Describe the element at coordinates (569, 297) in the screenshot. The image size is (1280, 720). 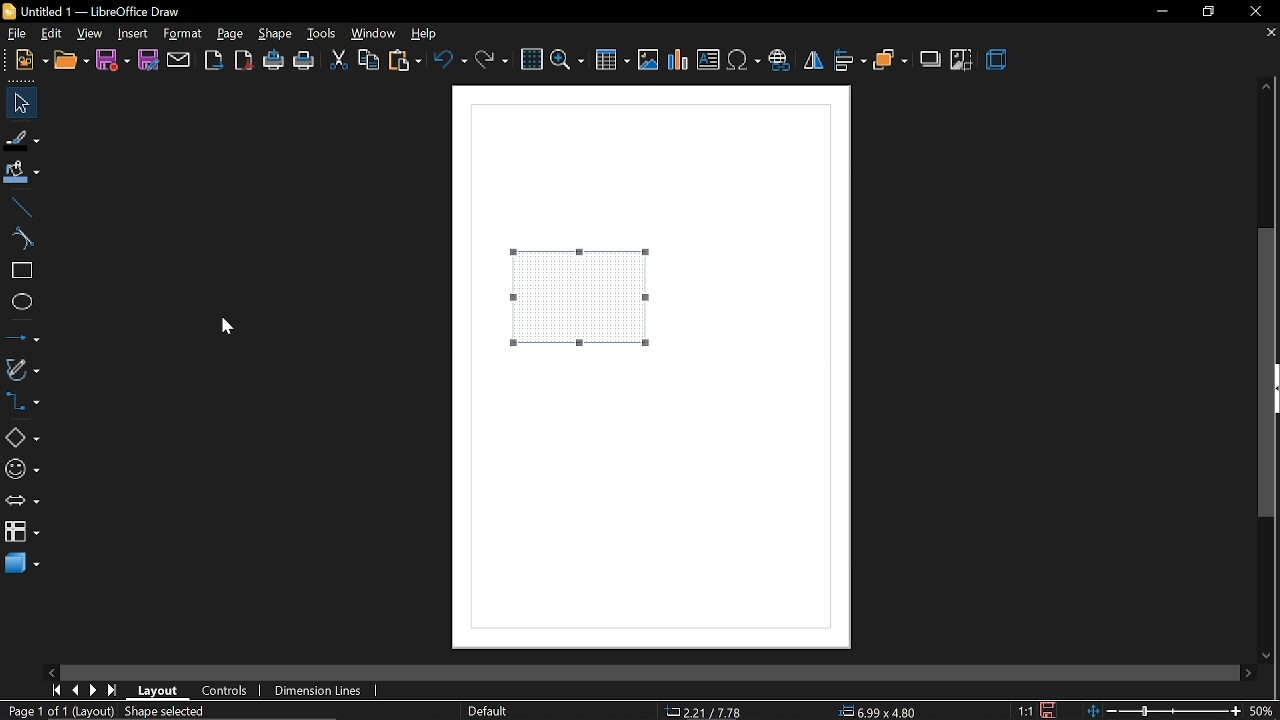
I see `Pattern added` at that location.